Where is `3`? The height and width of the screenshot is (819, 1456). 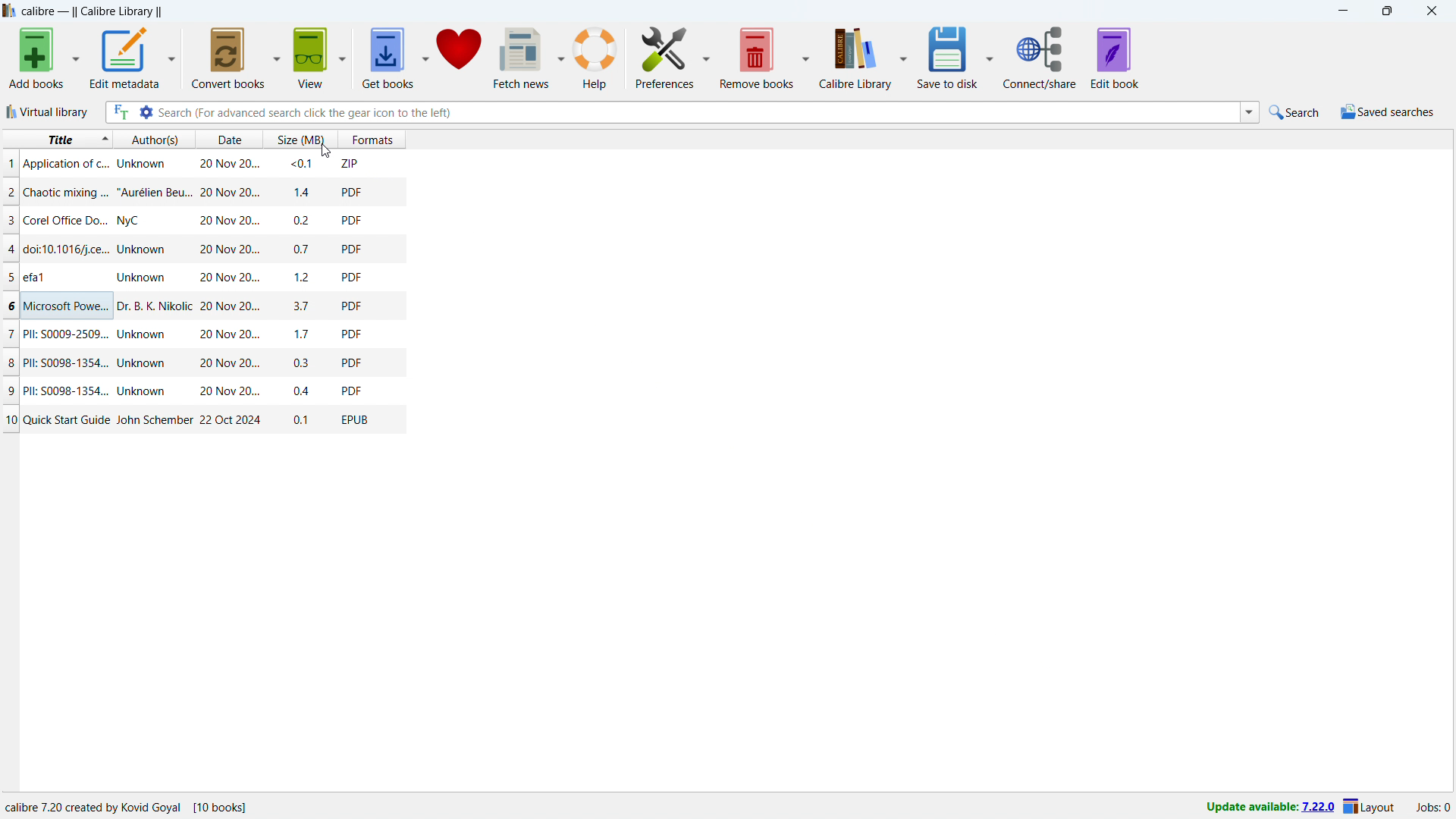
3 is located at coordinates (9, 220).